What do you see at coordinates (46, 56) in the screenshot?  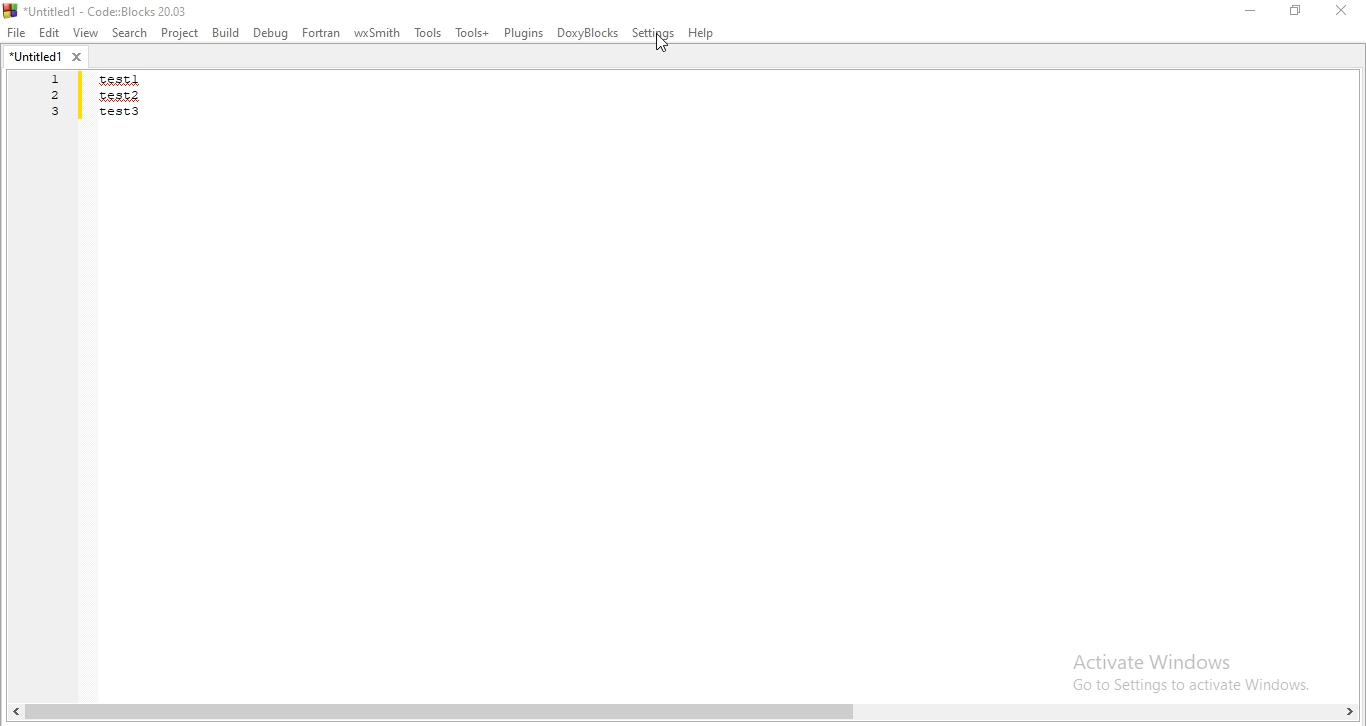 I see `untitled` at bounding box center [46, 56].